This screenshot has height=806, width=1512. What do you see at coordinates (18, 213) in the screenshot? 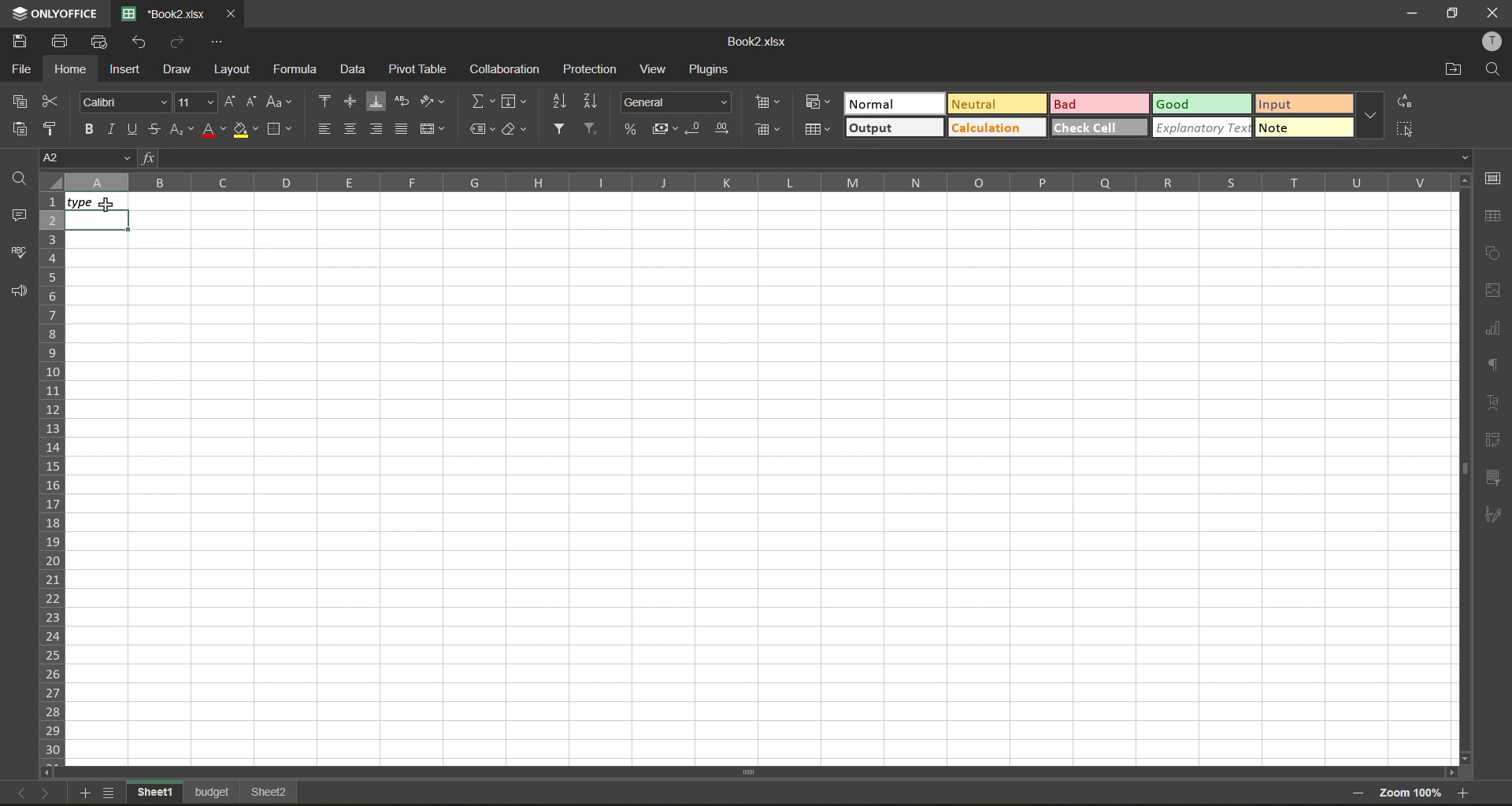
I see `comments` at bounding box center [18, 213].